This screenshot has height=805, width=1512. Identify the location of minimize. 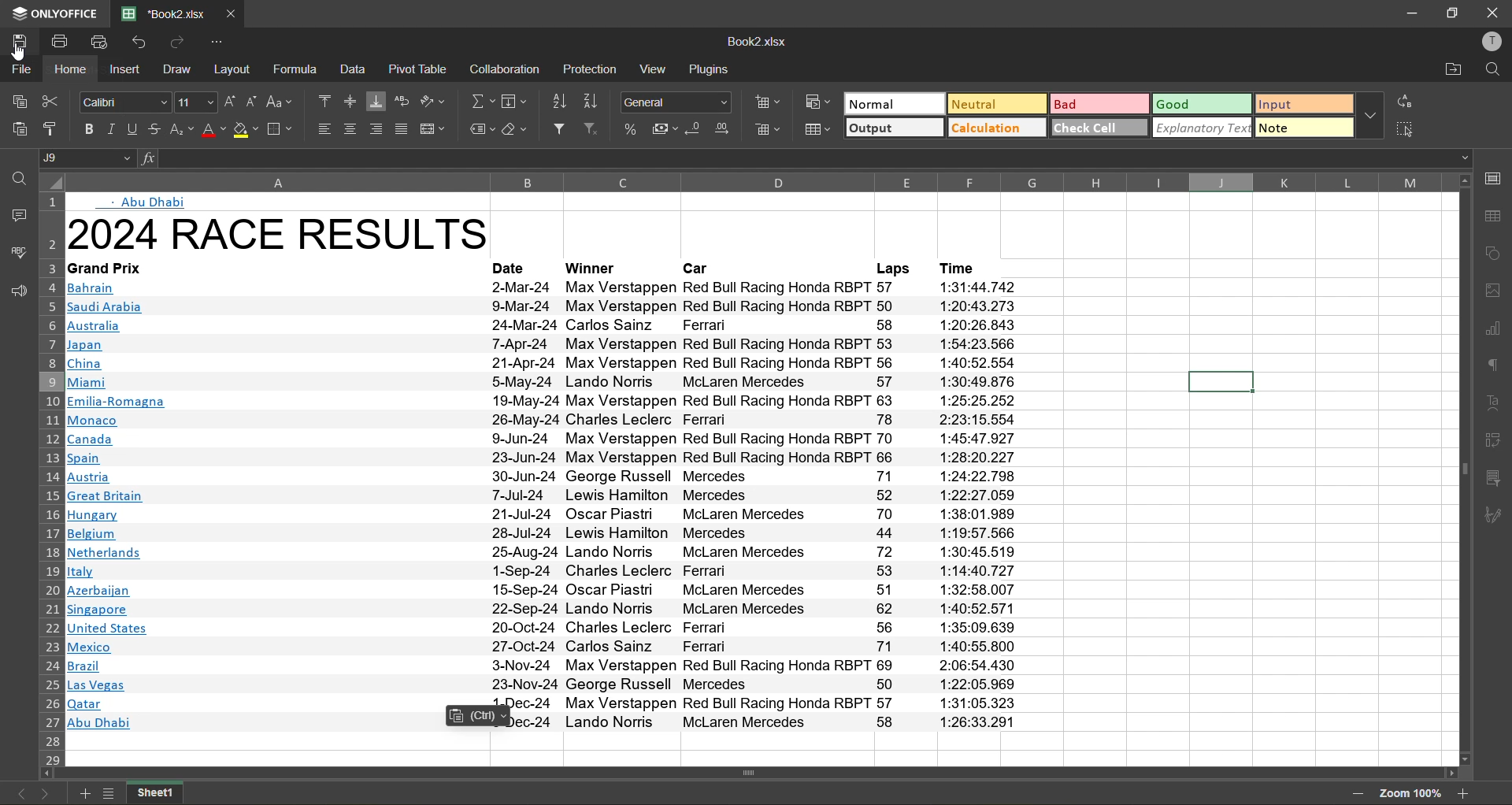
(1411, 14).